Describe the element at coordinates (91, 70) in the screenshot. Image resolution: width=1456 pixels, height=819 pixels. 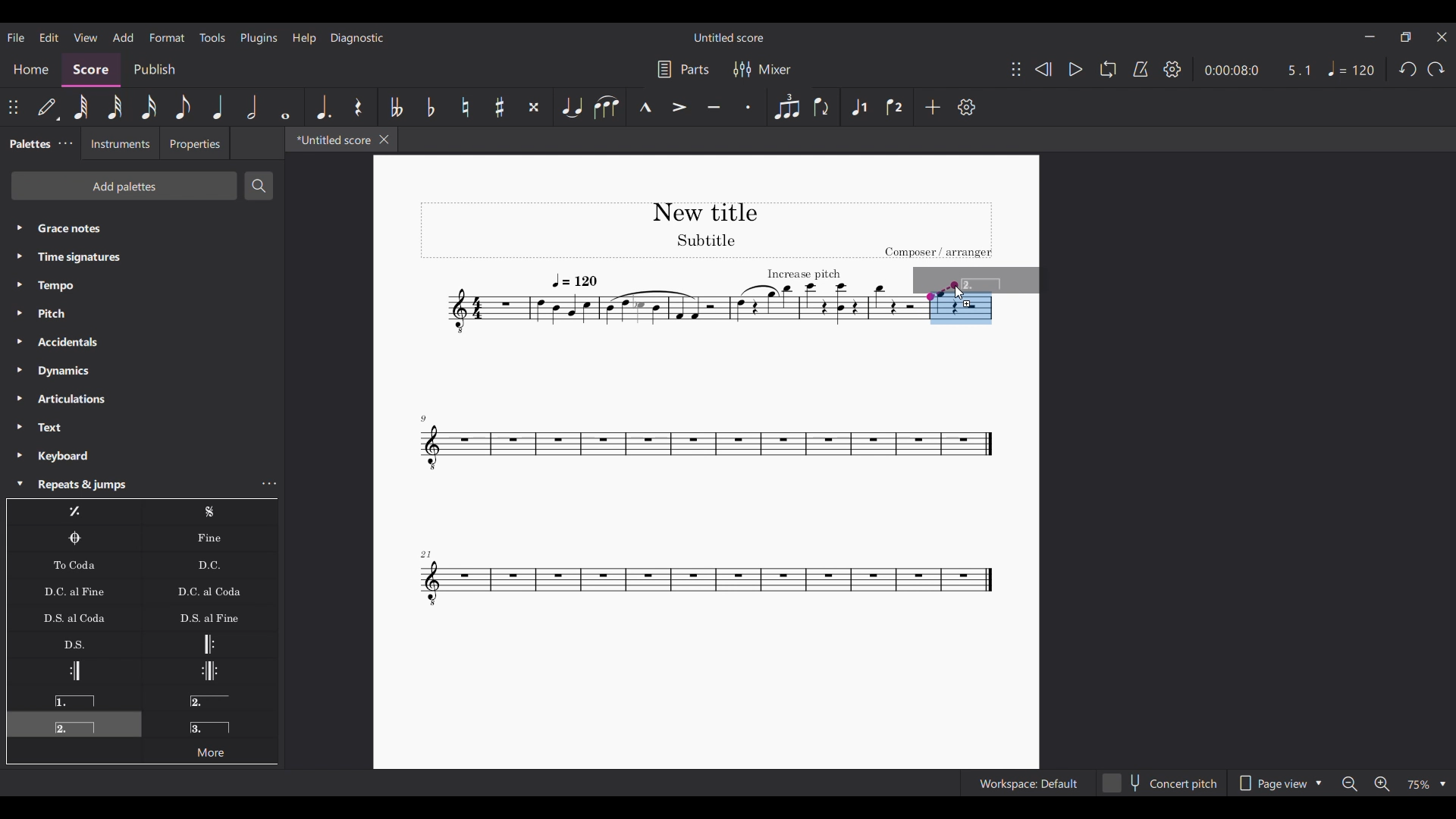
I see `Score, current section highlighted` at that location.